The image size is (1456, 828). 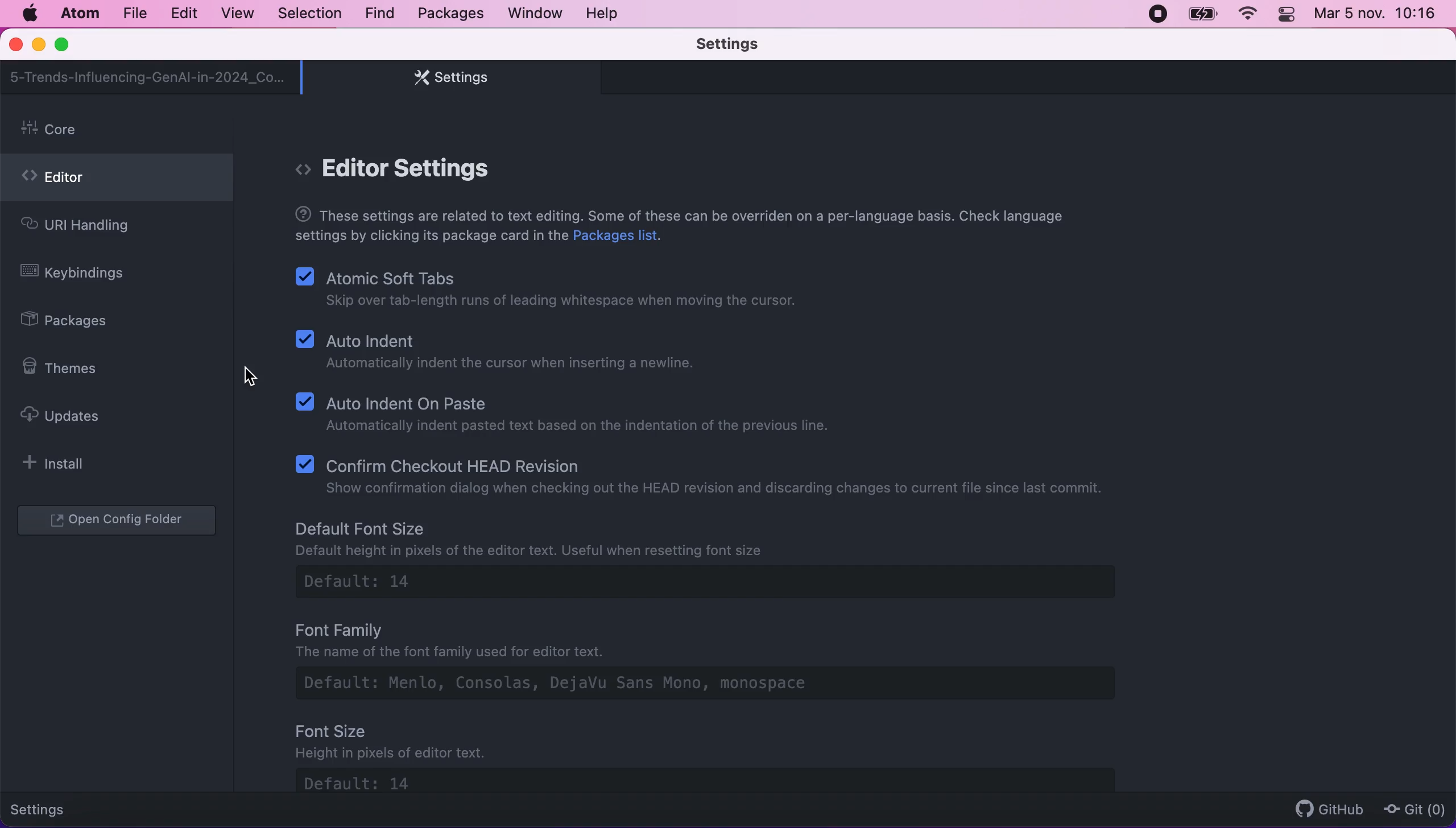 What do you see at coordinates (1202, 14) in the screenshot?
I see `battery` at bounding box center [1202, 14].